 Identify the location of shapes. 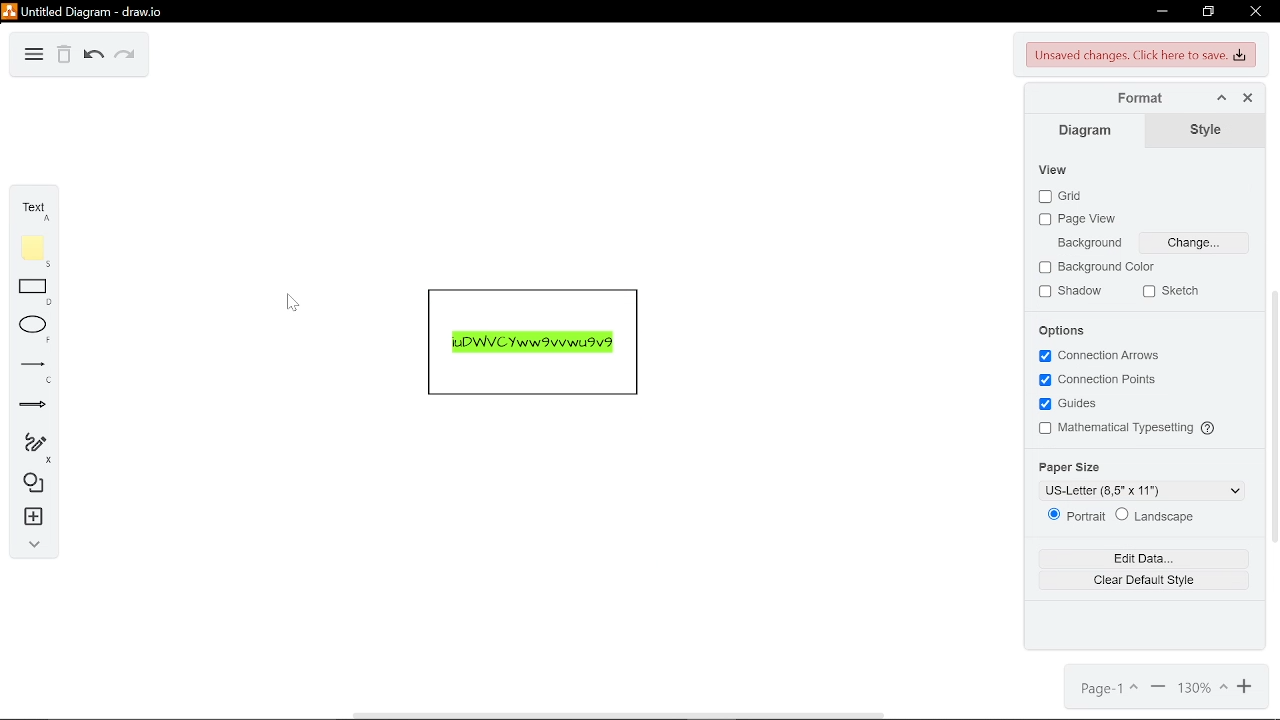
(31, 485).